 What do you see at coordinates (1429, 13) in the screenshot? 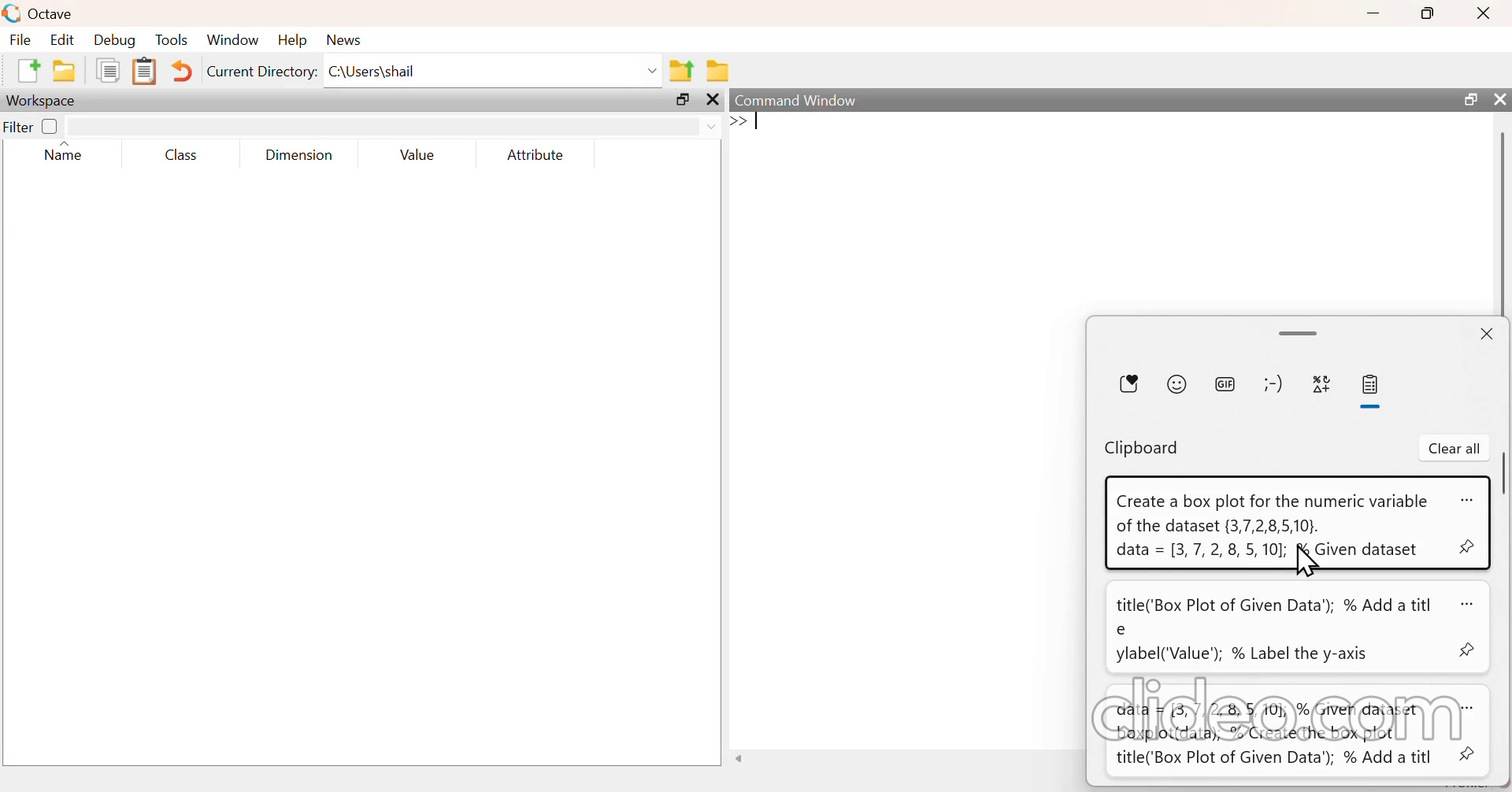
I see `maximize` at bounding box center [1429, 13].